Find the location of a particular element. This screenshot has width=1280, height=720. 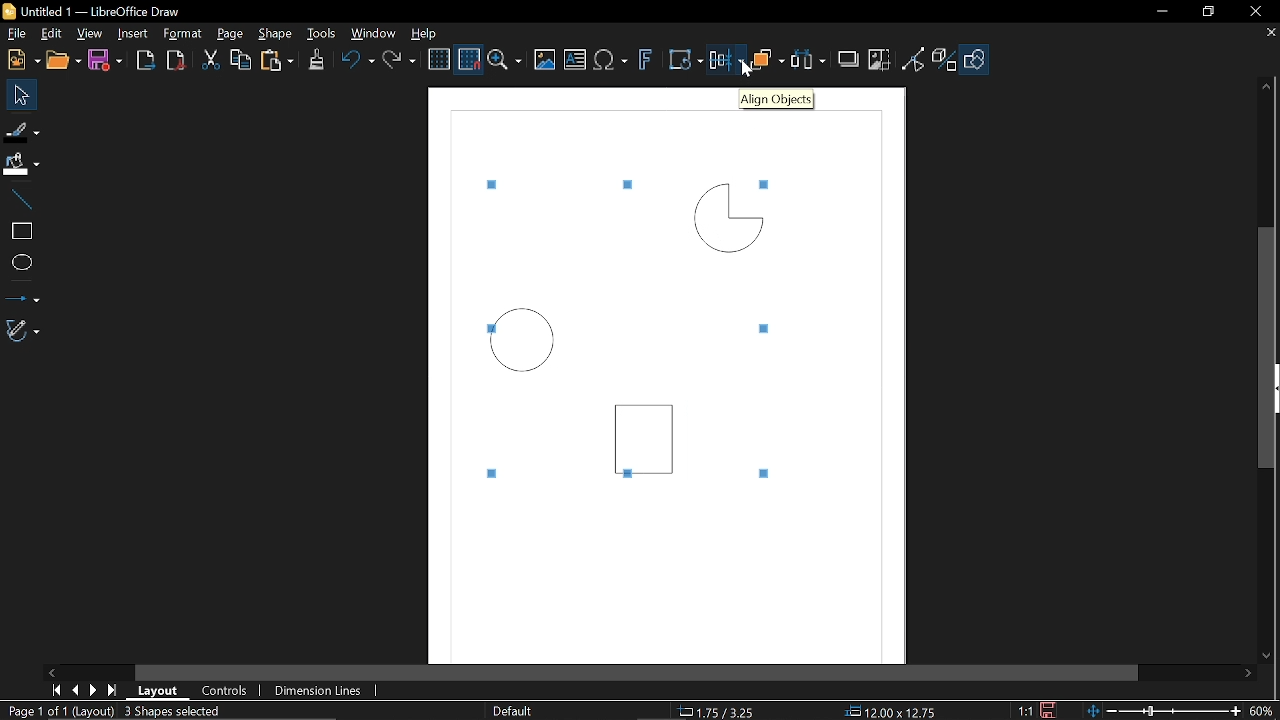

Shapes is located at coordinates (978, 60).